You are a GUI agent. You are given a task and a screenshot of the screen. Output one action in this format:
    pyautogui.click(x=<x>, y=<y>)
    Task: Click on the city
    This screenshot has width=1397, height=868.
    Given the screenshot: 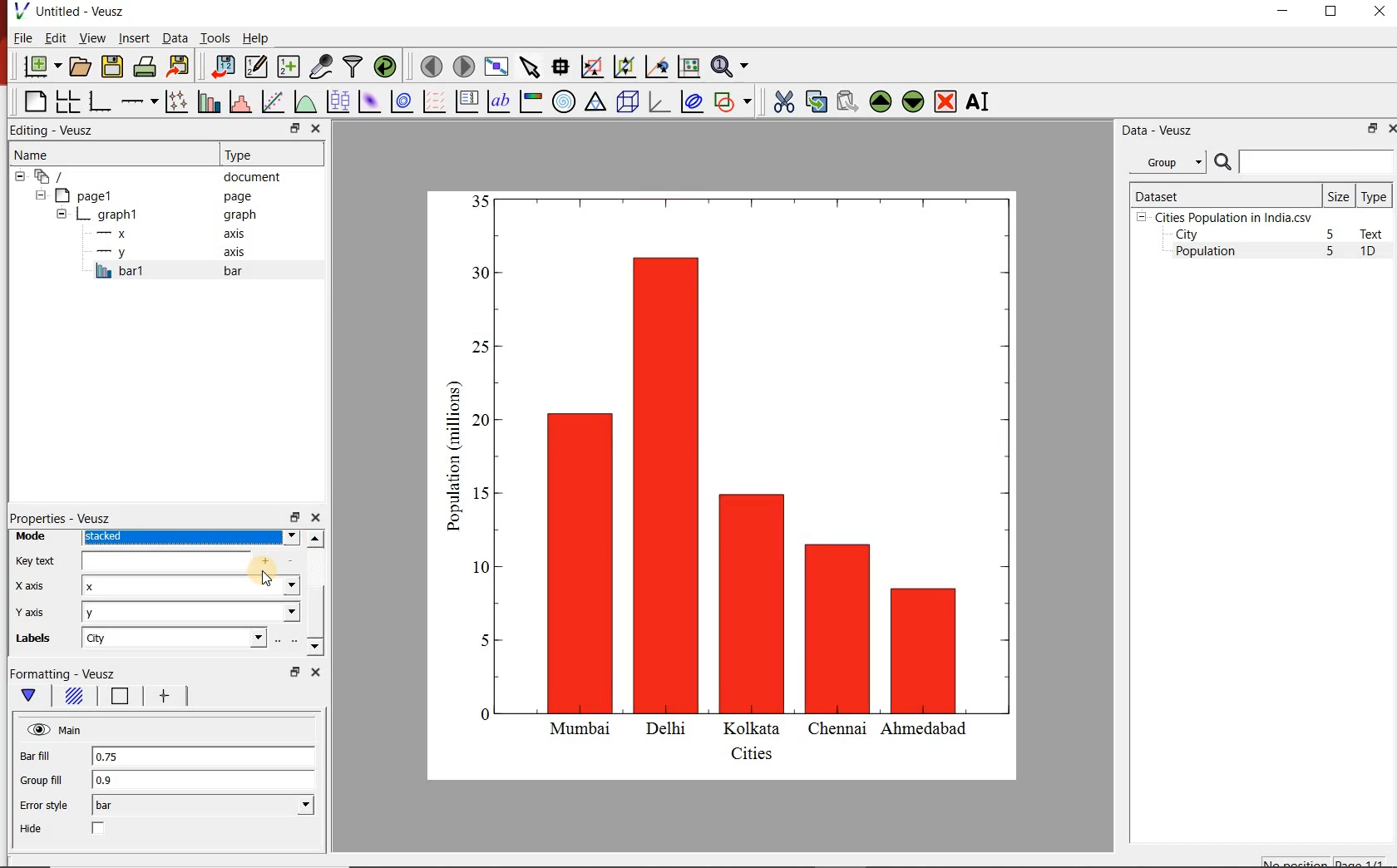 What is the action you would take?
    pyautogui.click(x=173, y=638)
    